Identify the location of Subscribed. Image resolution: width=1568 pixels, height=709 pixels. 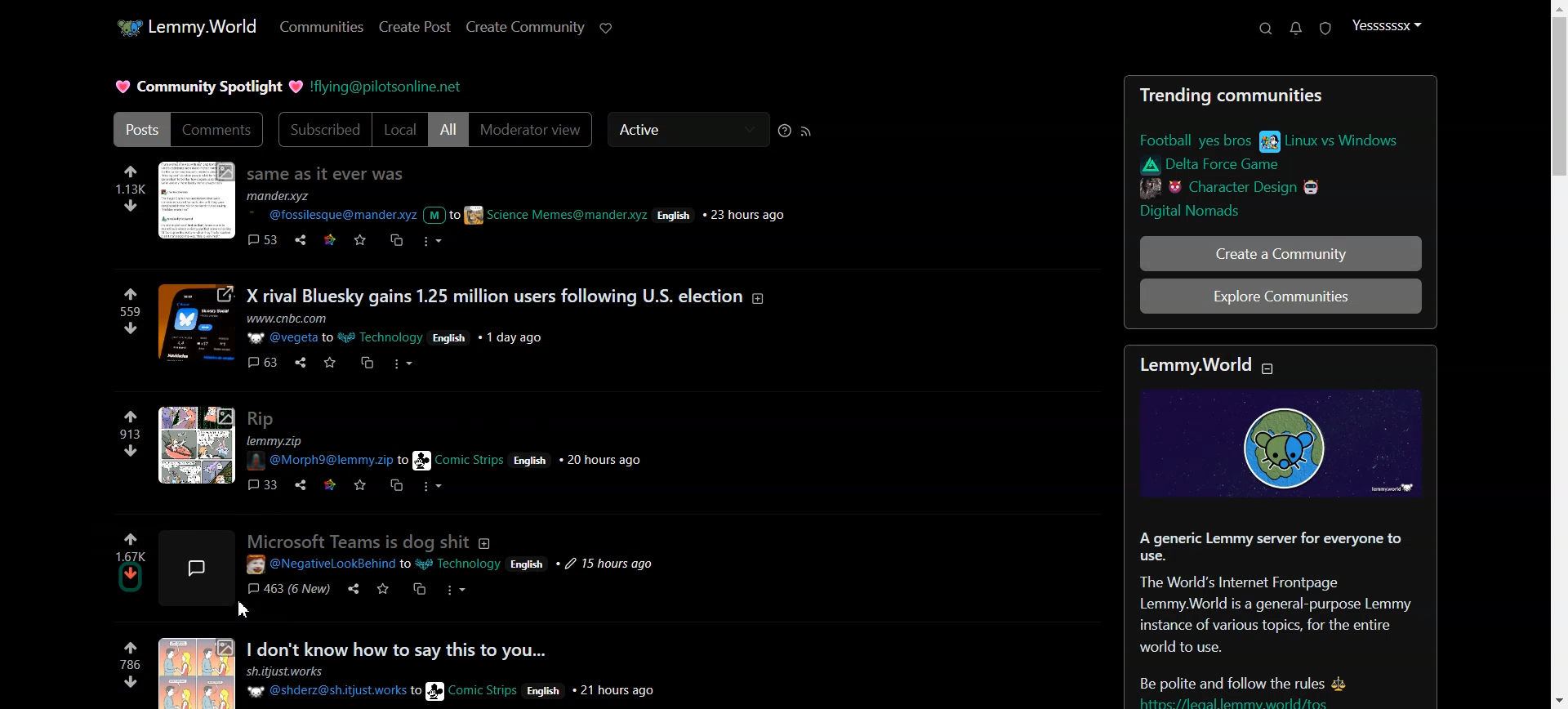
(323, 129).